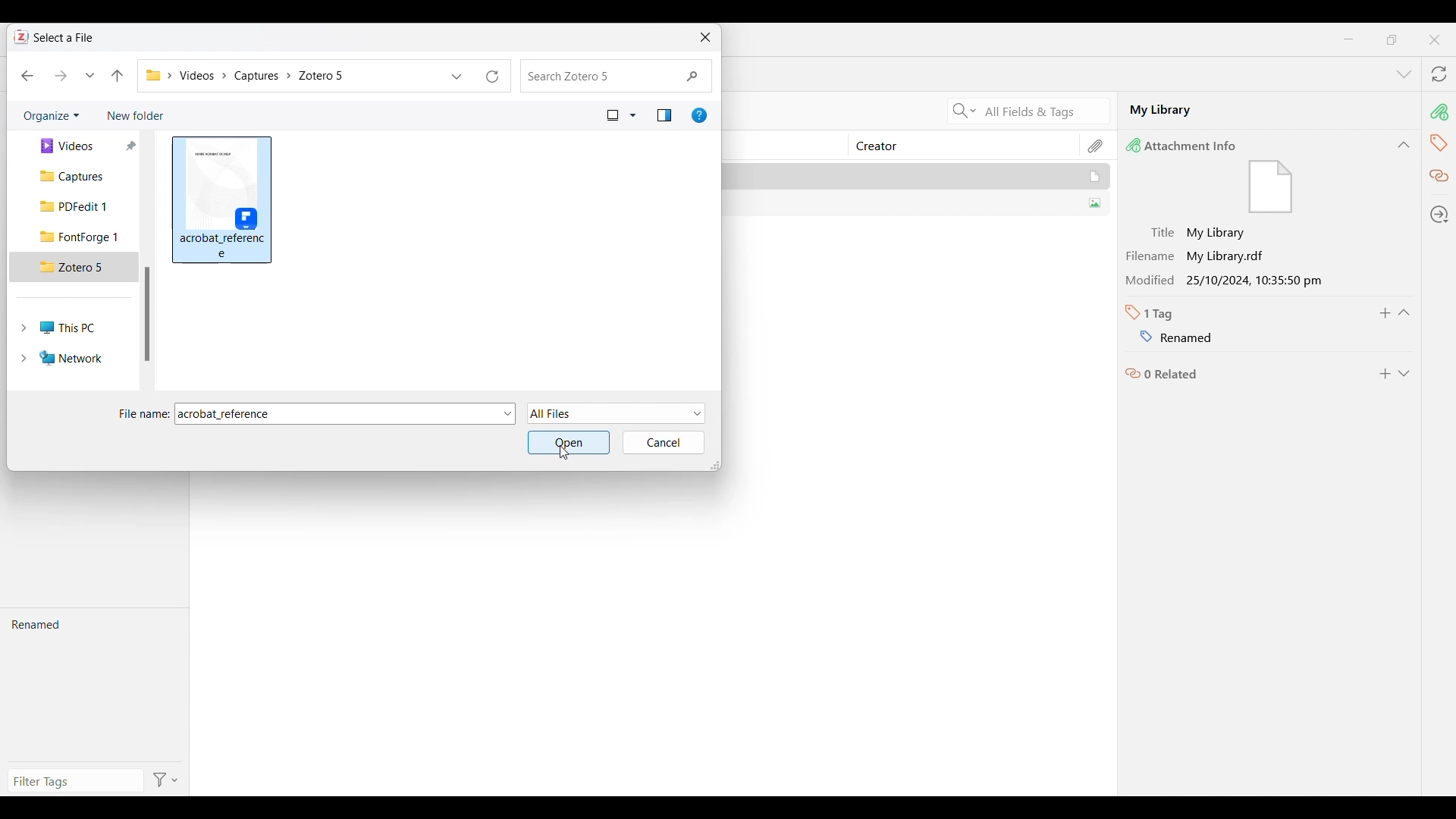 The height and width of the screenshot is (819, 1456). Describe the element at coordinates (96, 688) in the screenshot. I see `Renamed` at that location.